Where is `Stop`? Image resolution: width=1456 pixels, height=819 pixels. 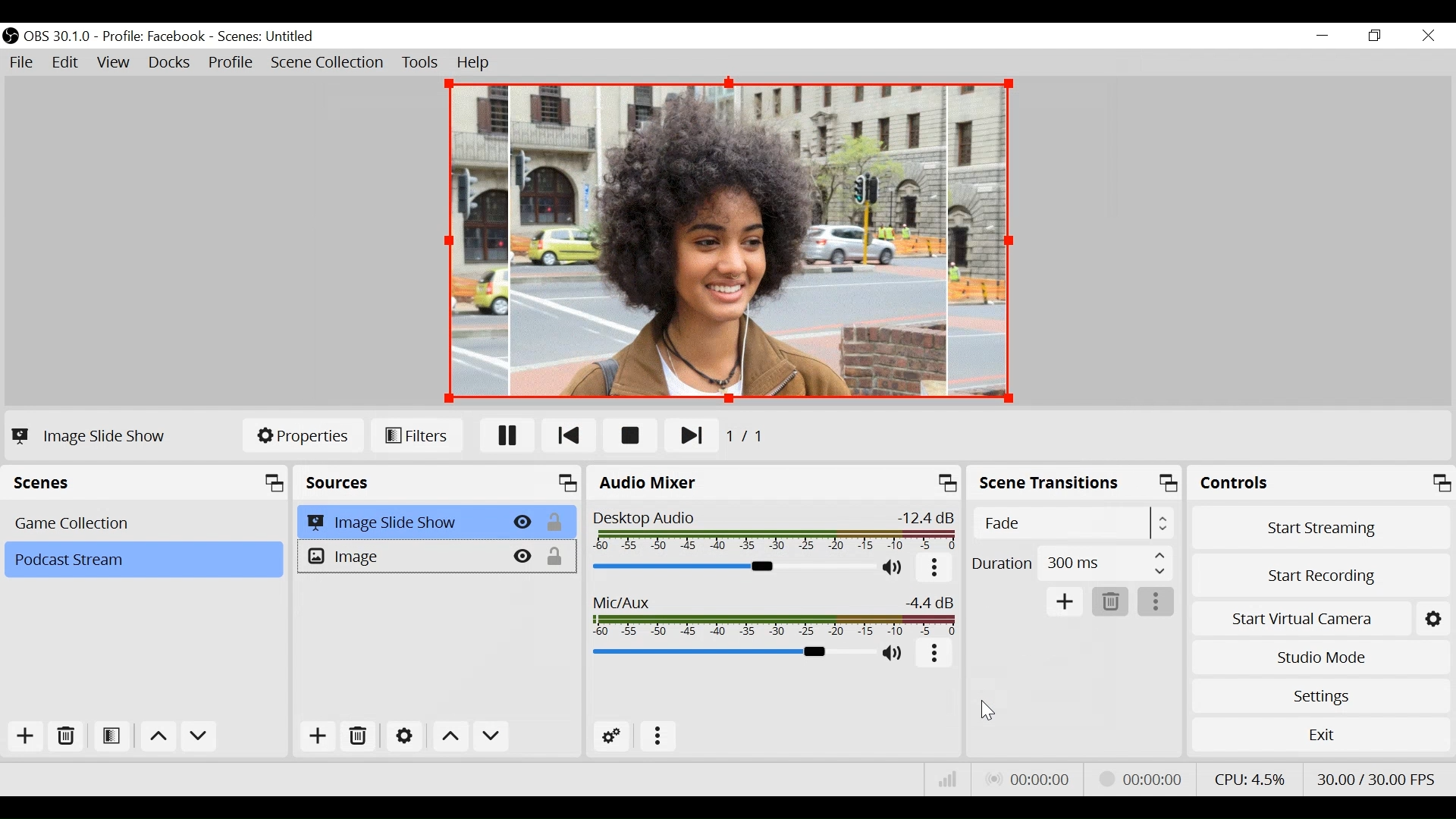
Stop is located at coordinates (631, 437).